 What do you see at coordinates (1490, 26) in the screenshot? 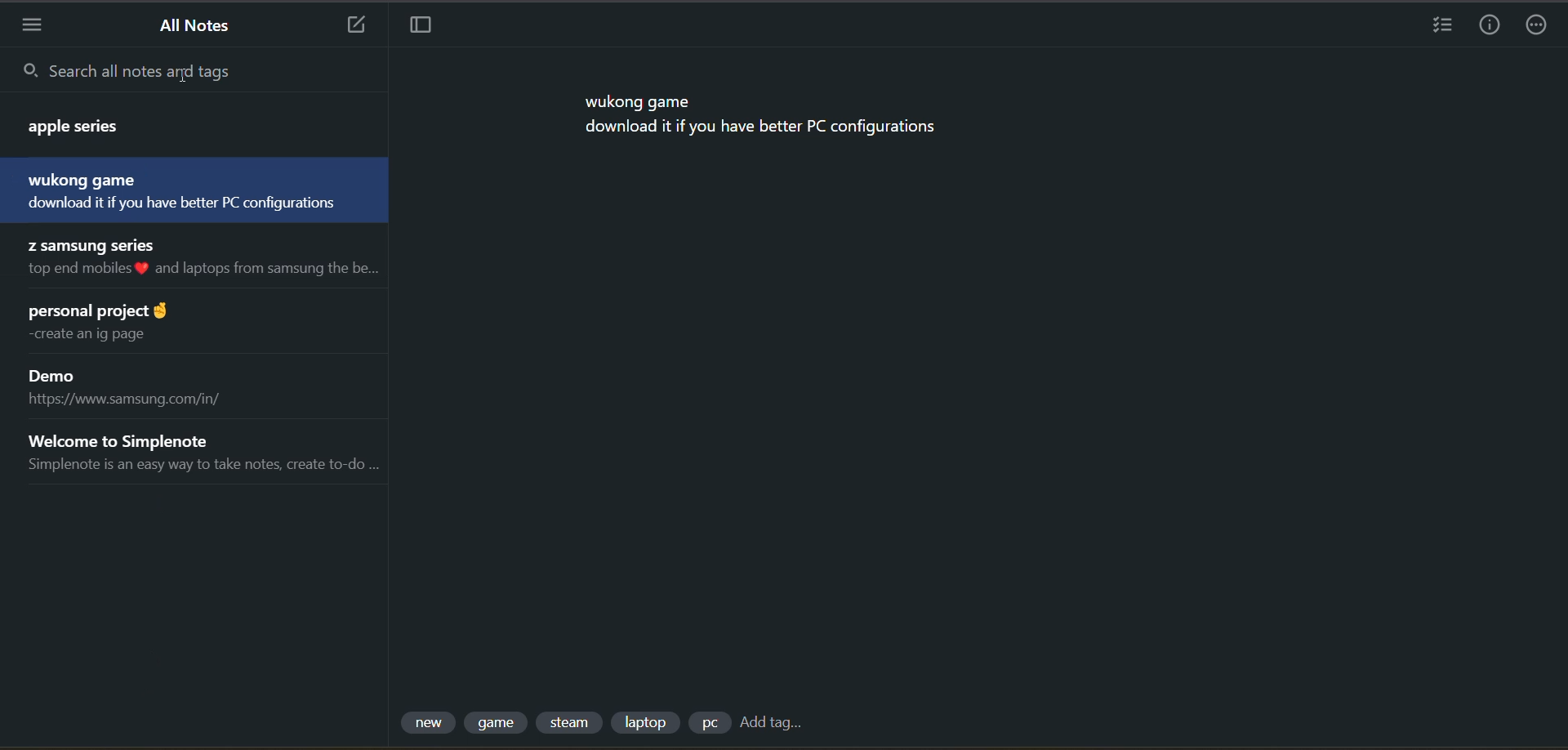
I see `info` at bounding box center [1490, 26].